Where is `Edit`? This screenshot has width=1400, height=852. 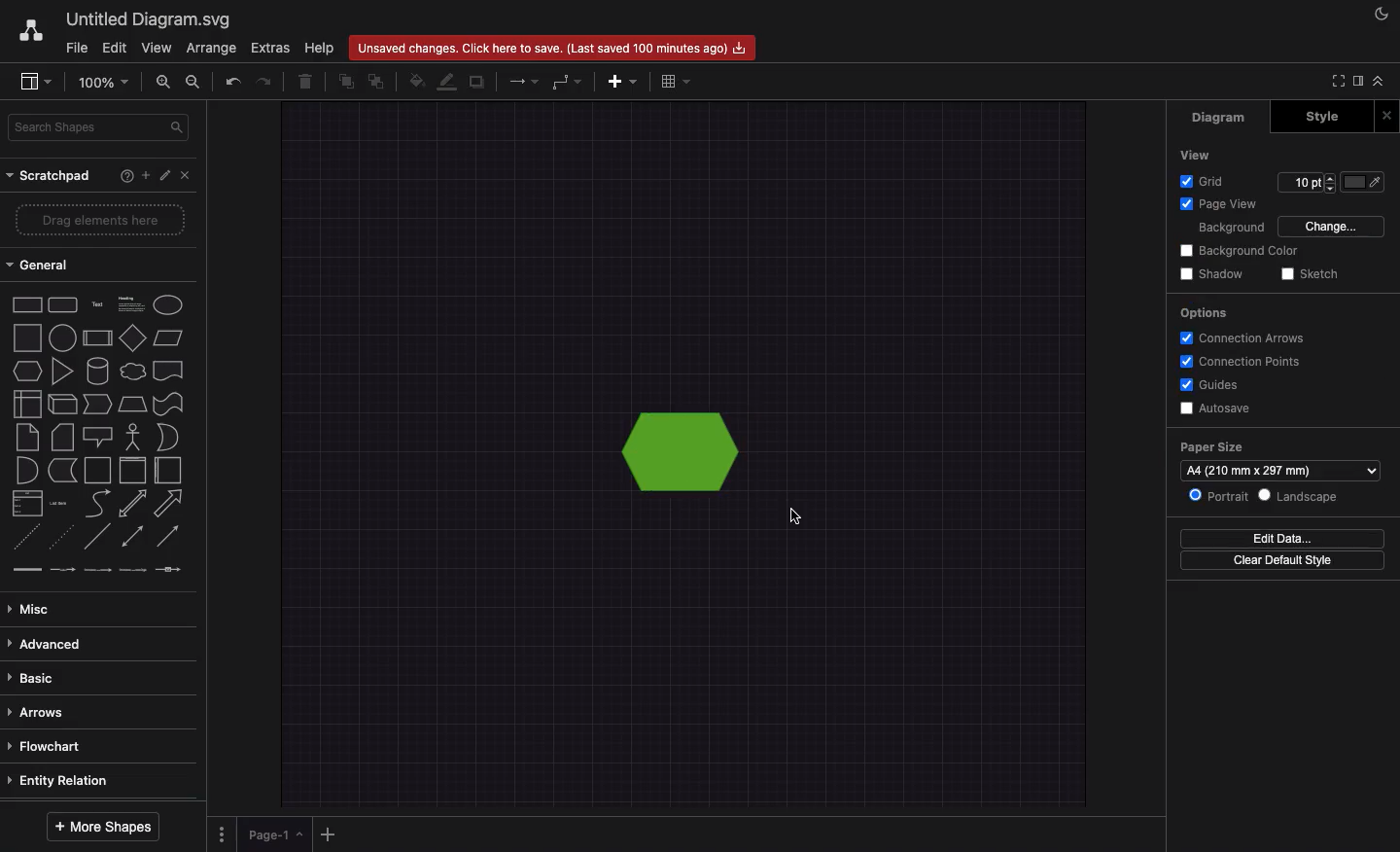 Edit is located at coordinates (168, 177).